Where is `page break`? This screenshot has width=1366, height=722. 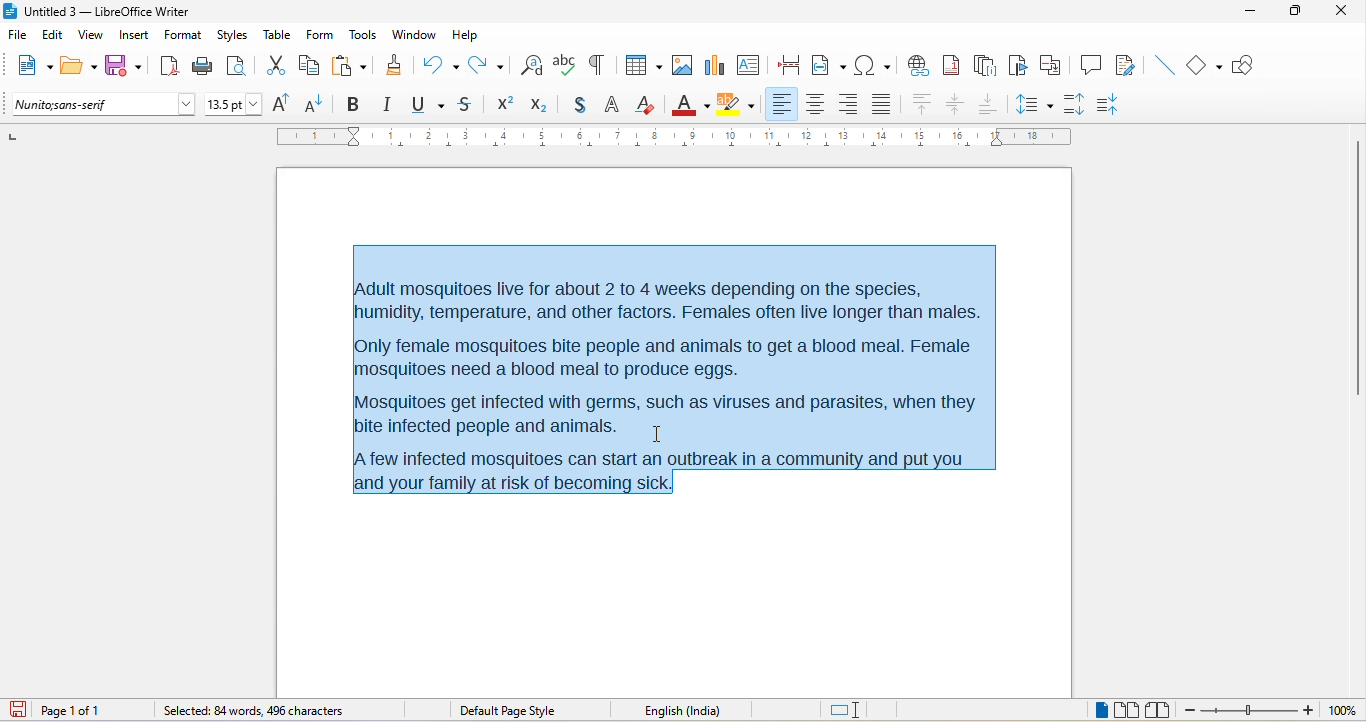 page break is located at coordinates (784, 63).